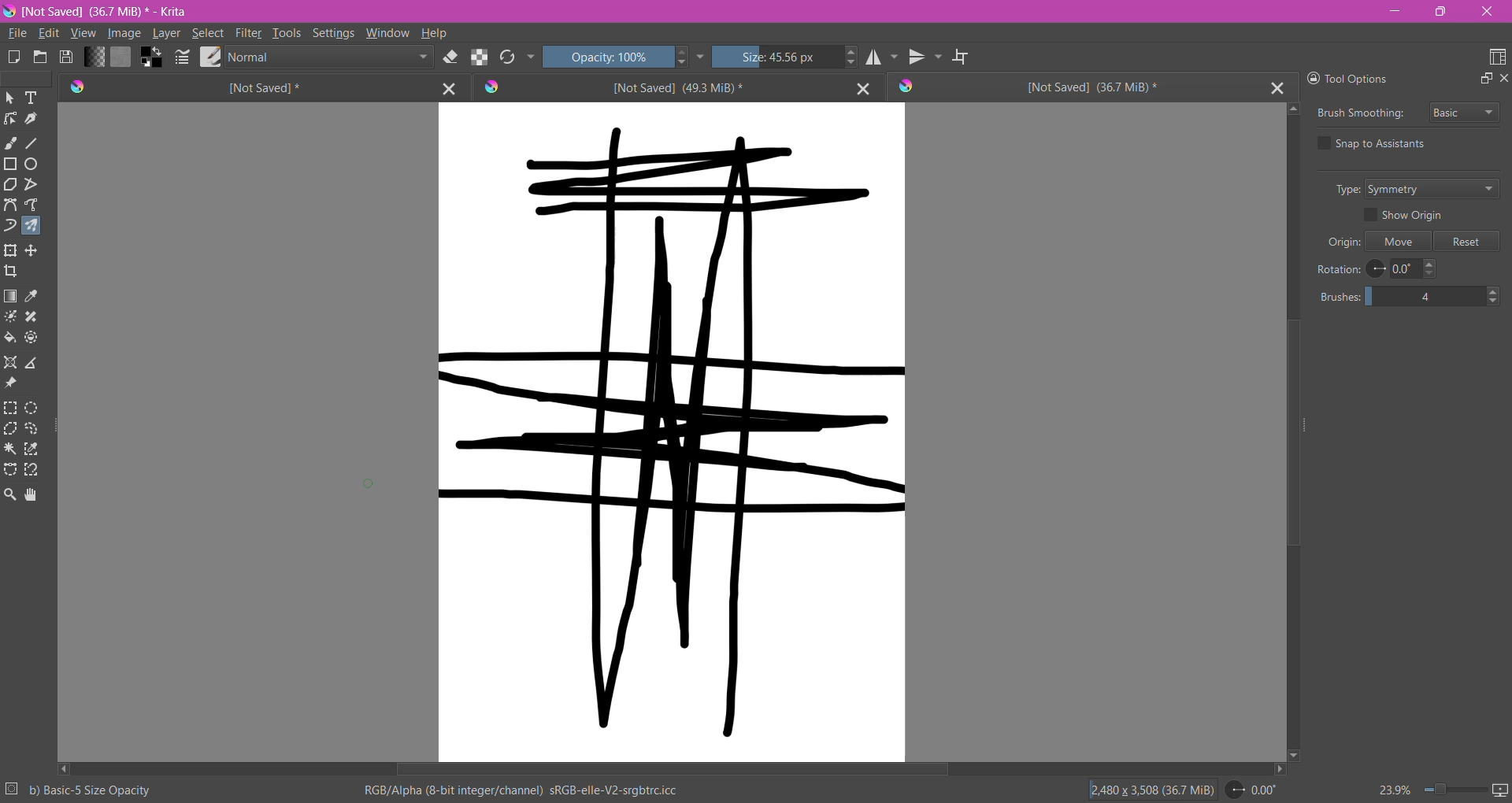 This screenshot has height=803, width=1512. I want to click on Horizontal Scroll Bar, so click(671, 770).